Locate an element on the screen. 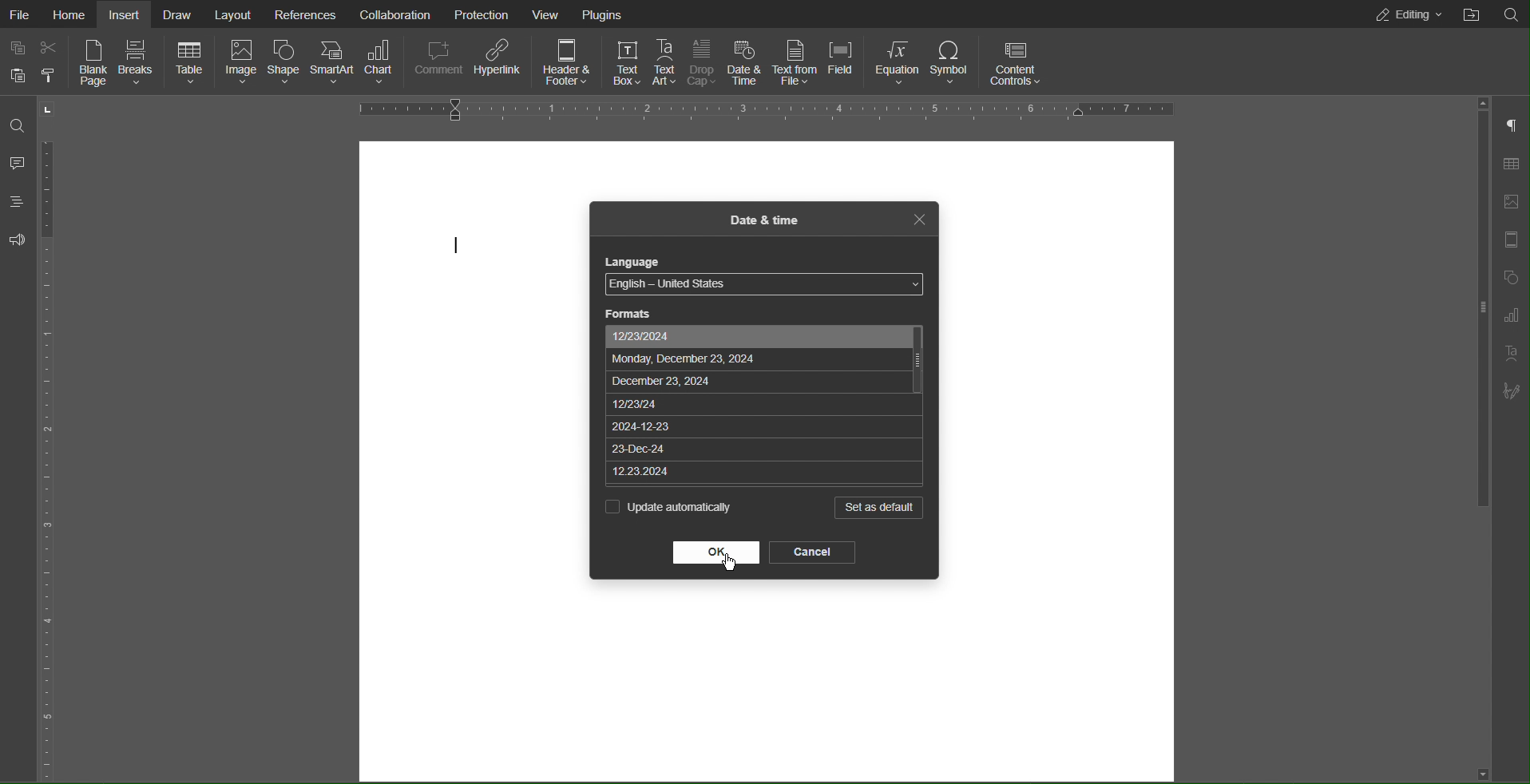  Image is located at coordinates (241, 65).